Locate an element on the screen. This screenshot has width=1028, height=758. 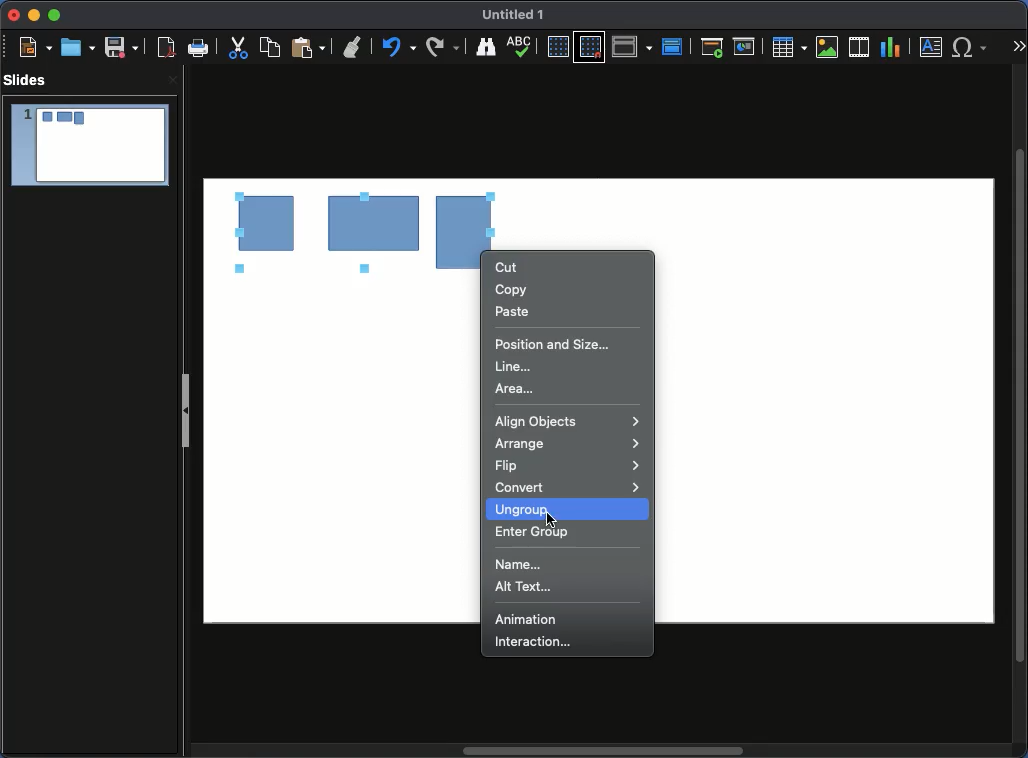
Position and size is located at coordinates (554, 343).